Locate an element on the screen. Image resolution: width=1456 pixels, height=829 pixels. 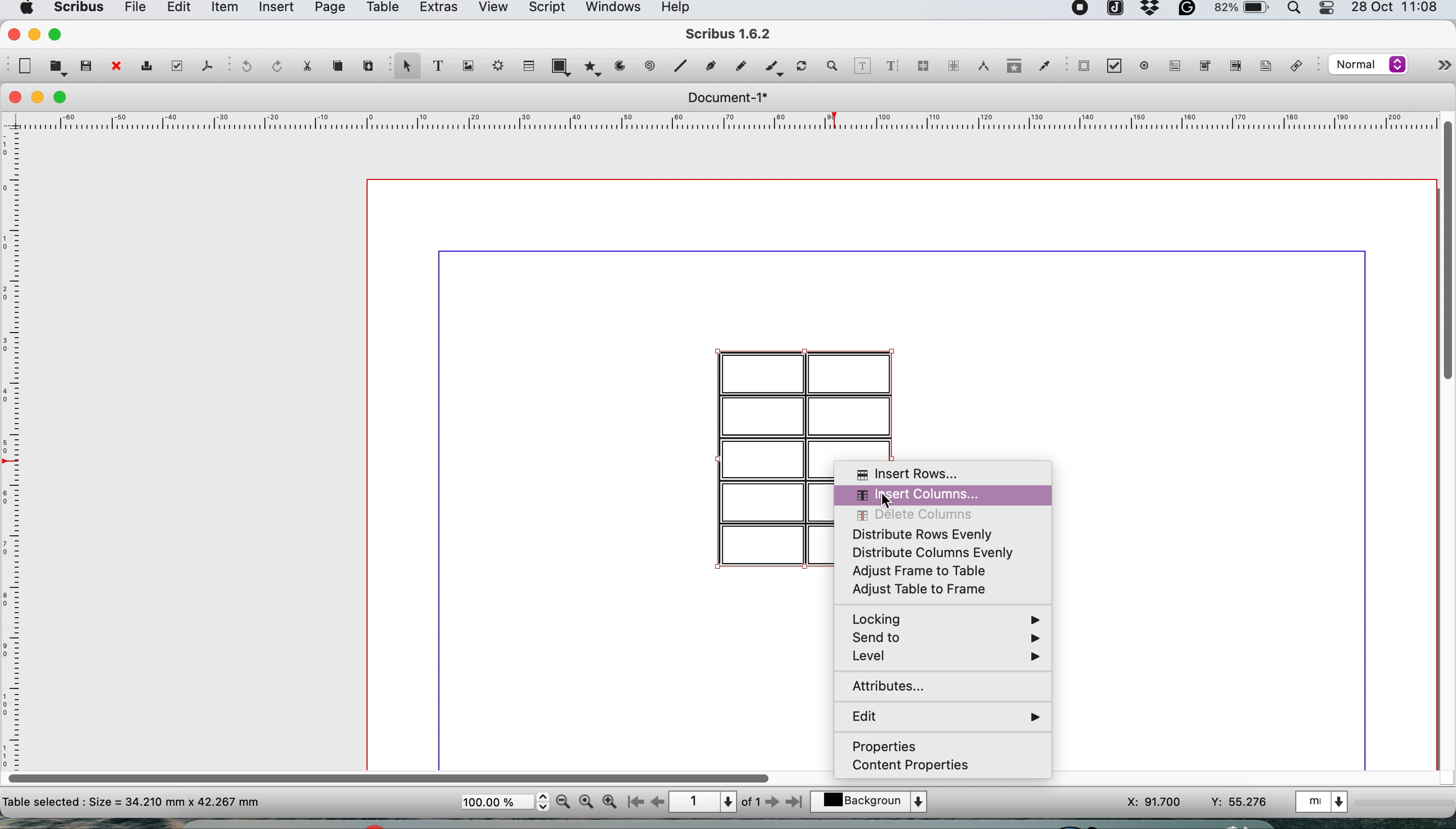
arc is located at coordinates (624, 66).